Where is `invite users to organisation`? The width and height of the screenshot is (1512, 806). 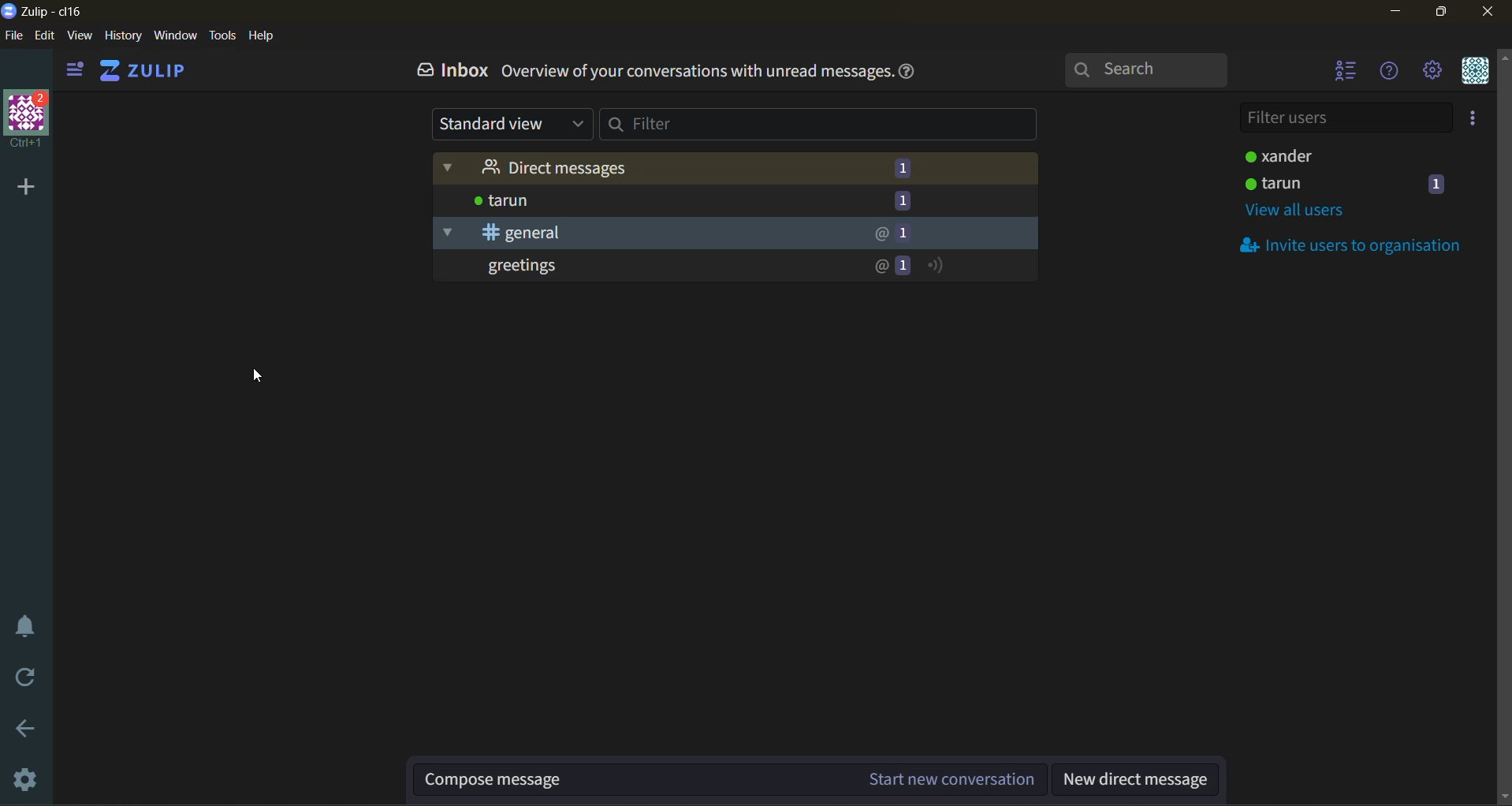 invite users to organisation is located at coordinates (1360, 245).